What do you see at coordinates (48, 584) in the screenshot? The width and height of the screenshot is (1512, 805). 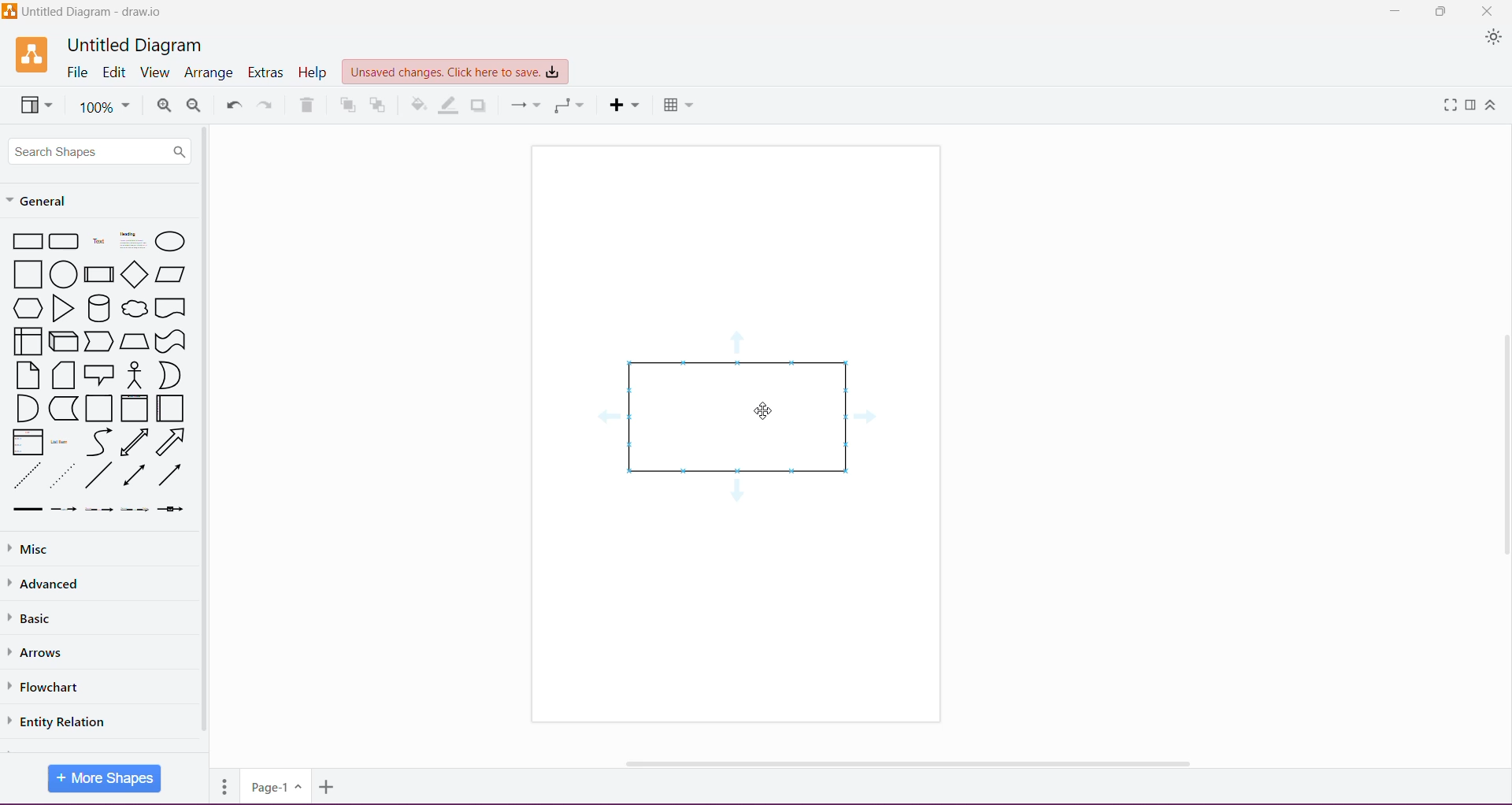 I see `Advanced` at bounding box center [48, 584].